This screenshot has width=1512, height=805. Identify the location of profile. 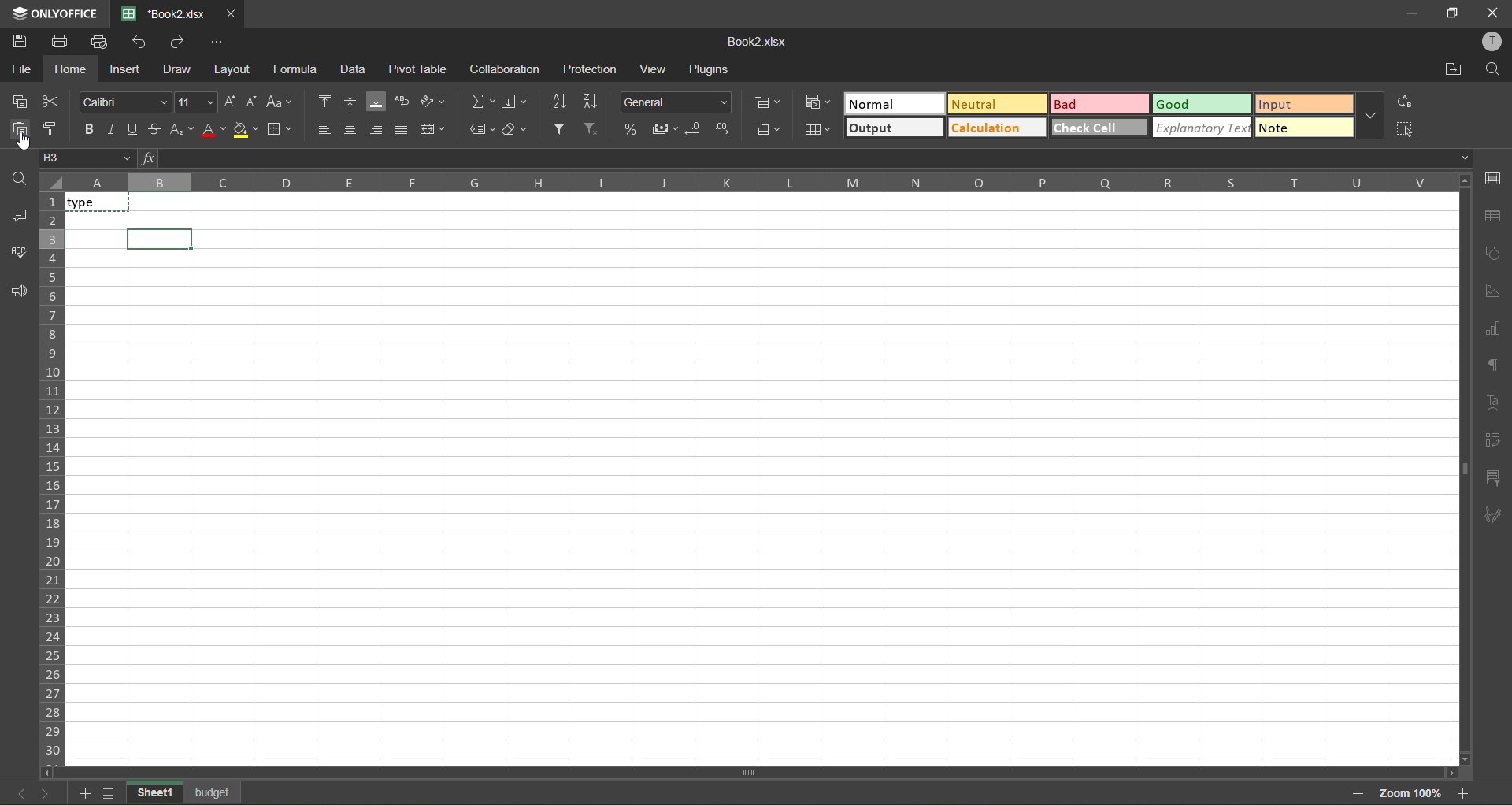
(1495, 39).